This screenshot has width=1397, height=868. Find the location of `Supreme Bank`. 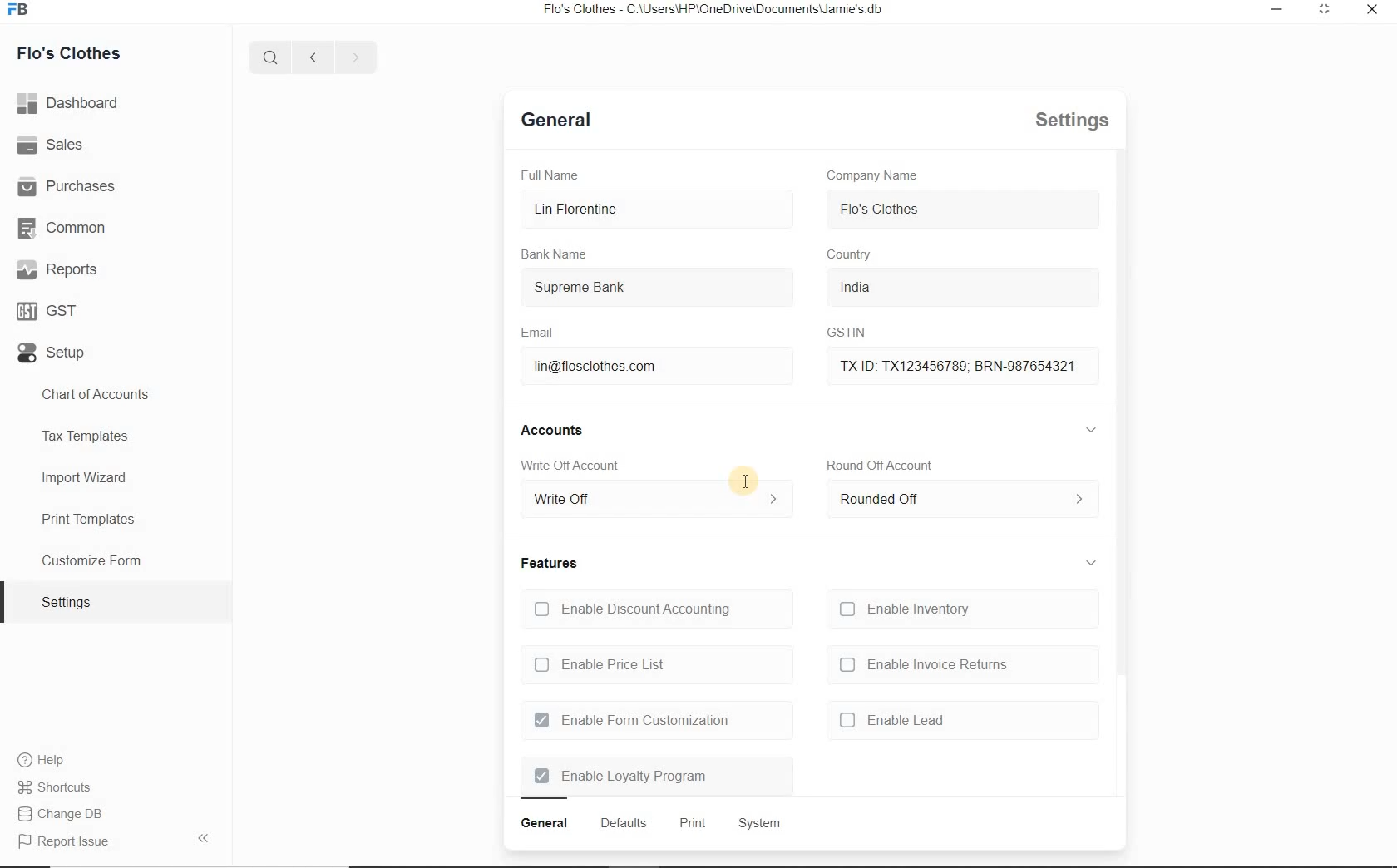

Supreme Bank is located at coordinates (581, 287).